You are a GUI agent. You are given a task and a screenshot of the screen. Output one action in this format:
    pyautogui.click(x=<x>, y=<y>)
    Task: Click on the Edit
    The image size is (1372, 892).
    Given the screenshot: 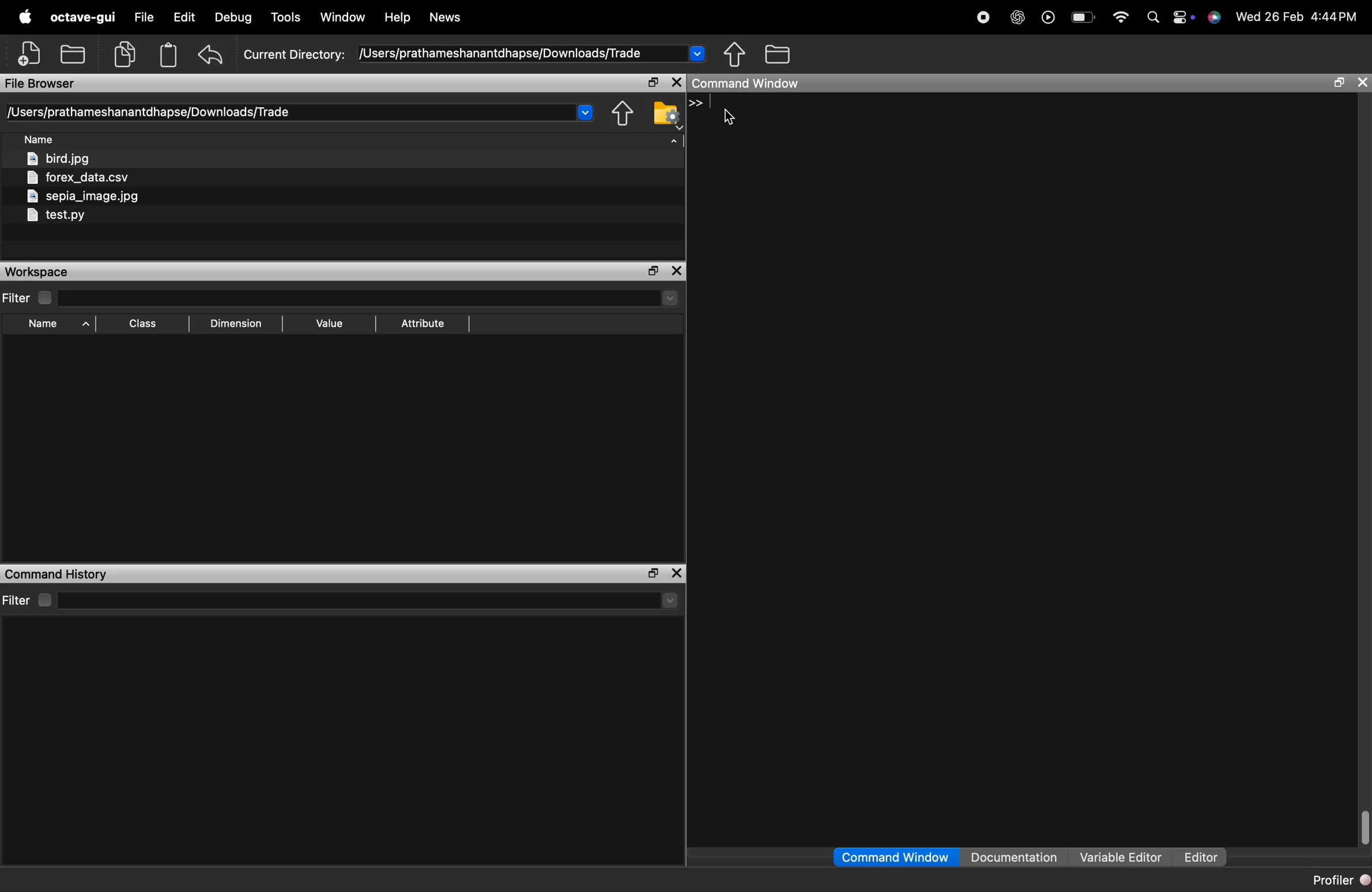 What is the action you would take?
    pyautogui.click(x=184, y=16)
    